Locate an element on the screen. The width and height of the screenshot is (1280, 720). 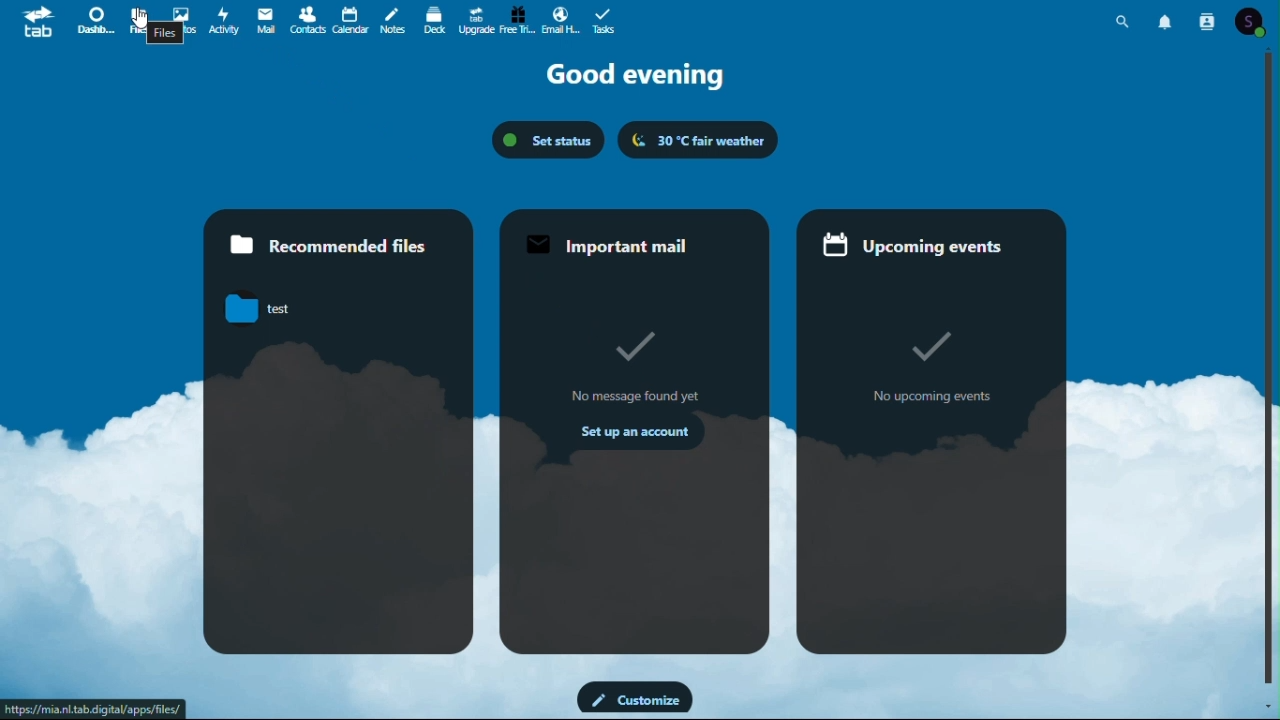
tab is located at coordinates (36, 23).